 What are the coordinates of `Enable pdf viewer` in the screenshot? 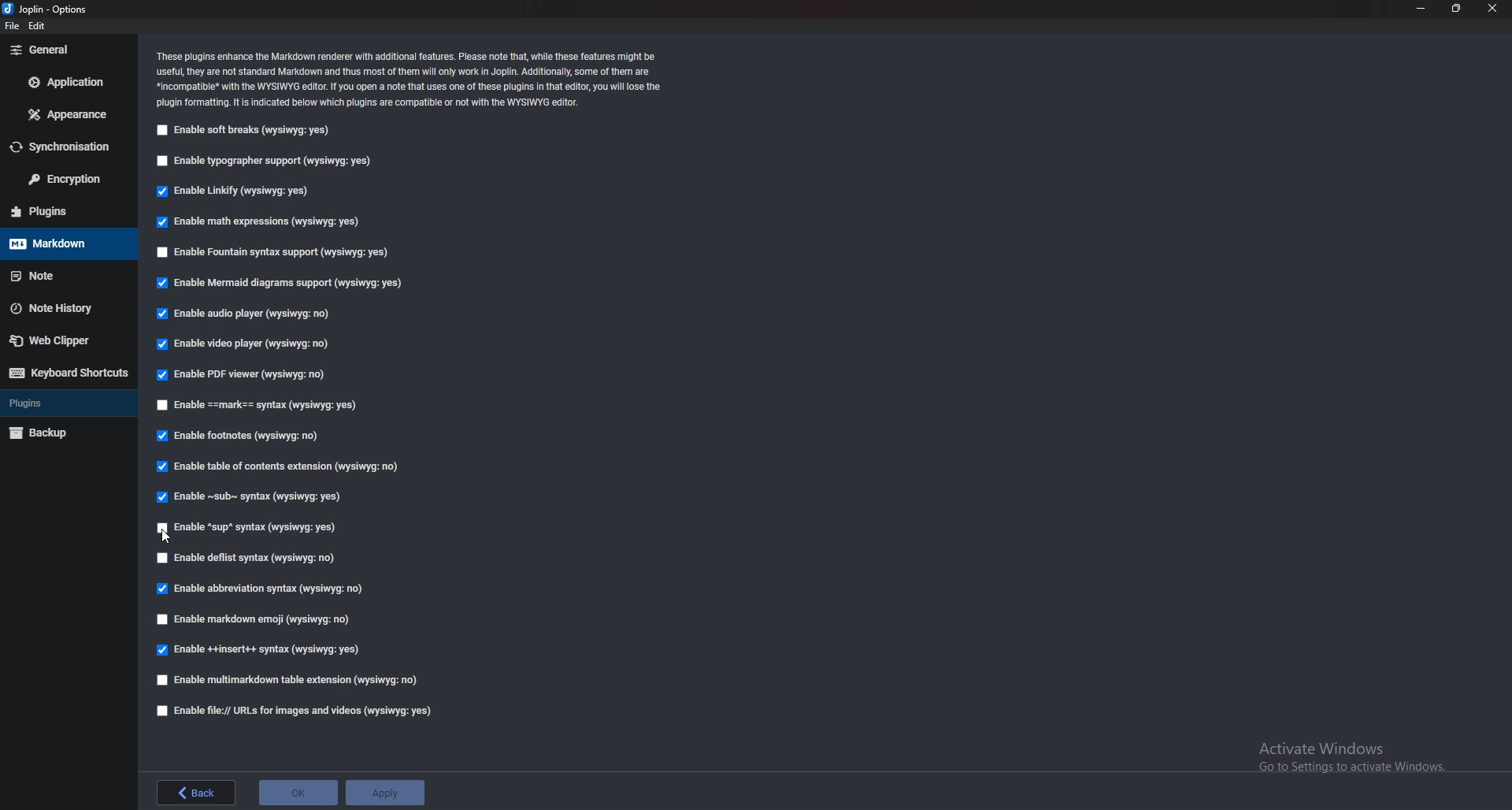 It's located at (246, 373).